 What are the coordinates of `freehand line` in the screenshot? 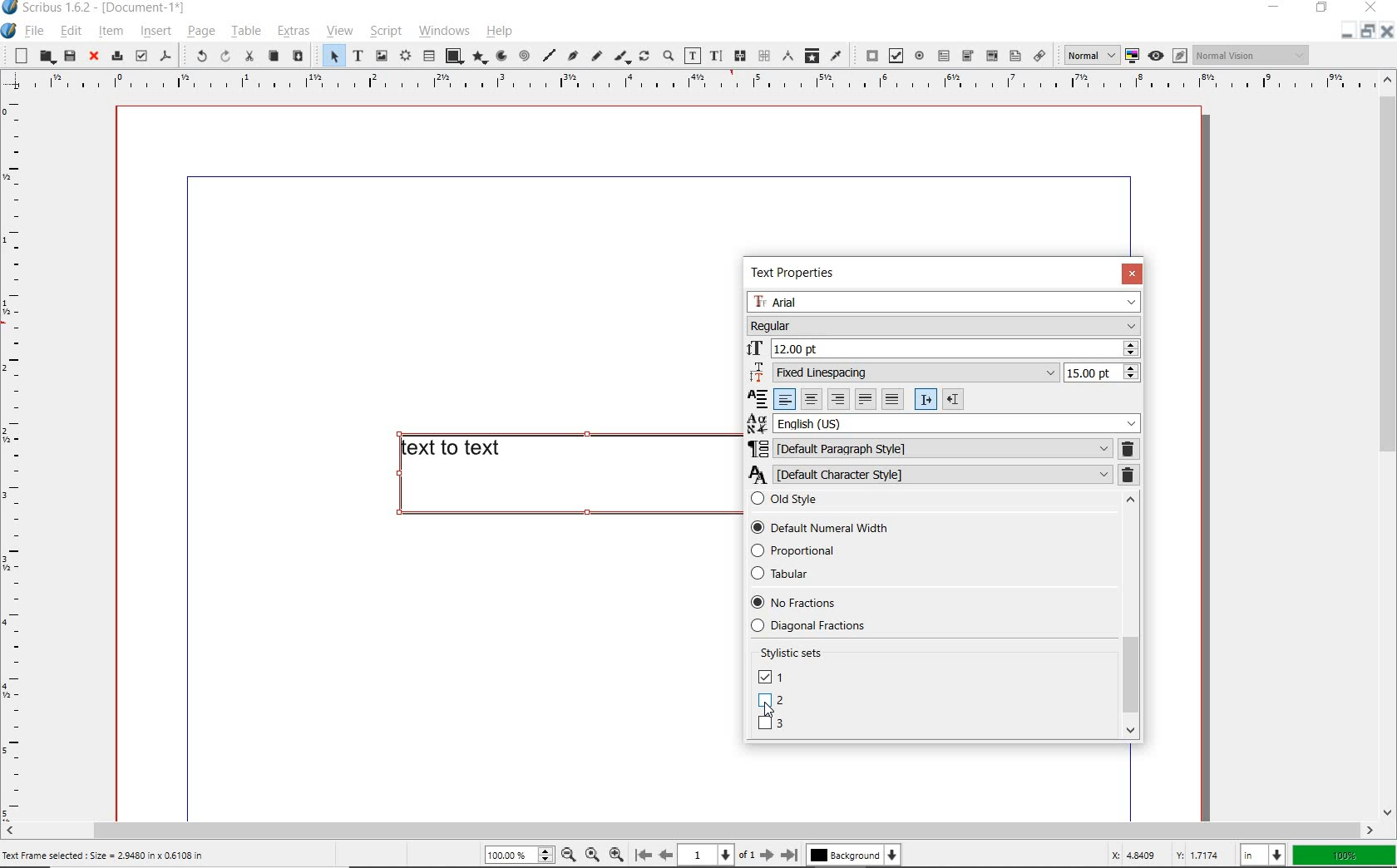 It's located at (595, 57).